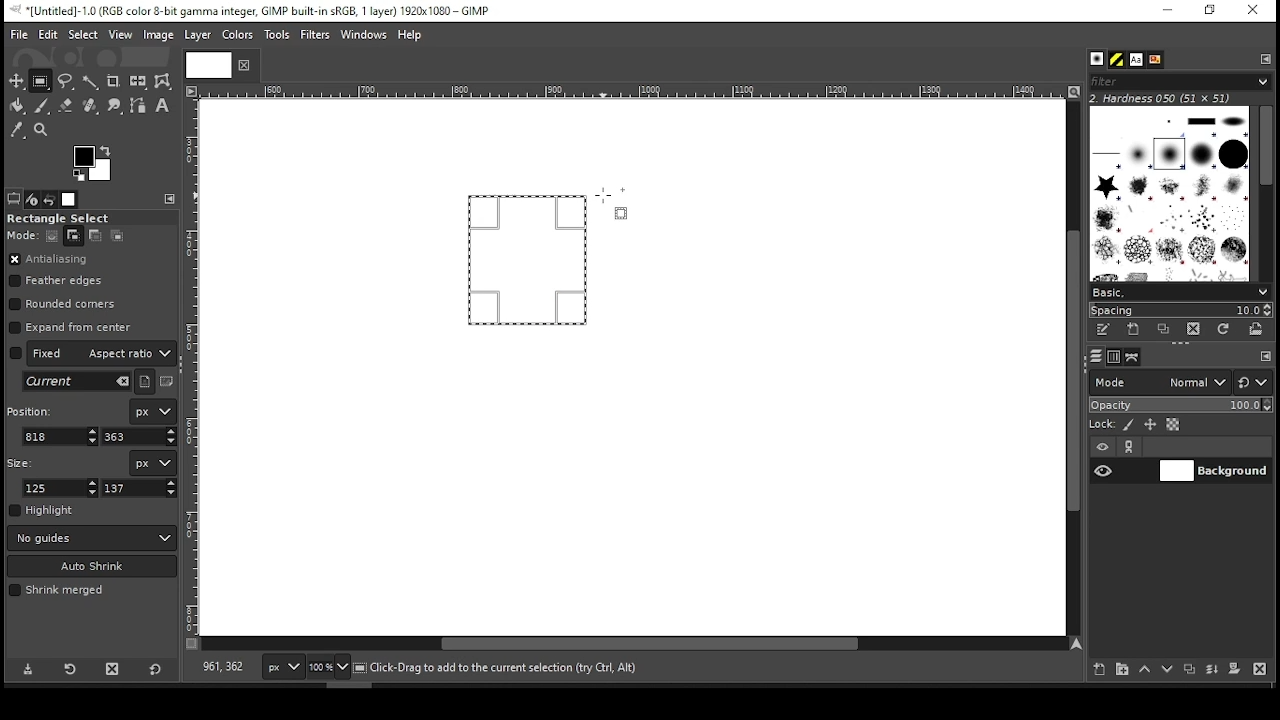 The width and height of the screenshot is (1280, 720). Describe the element at coordinates (1104, 470) in the screenshot. I see `layer visibility on/off` at that location.